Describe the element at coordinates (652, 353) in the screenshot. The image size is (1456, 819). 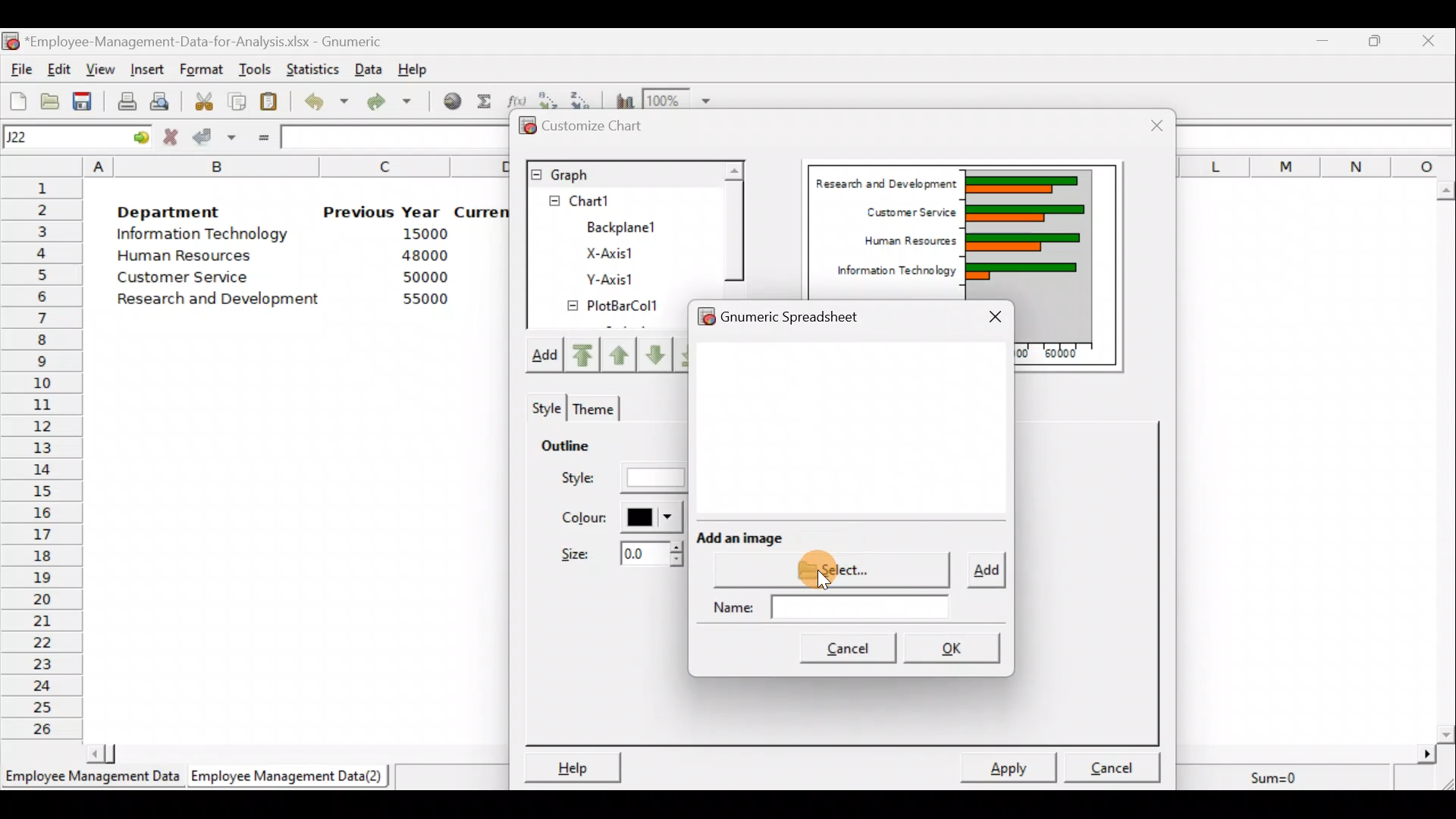
I see `Move up` at that location.